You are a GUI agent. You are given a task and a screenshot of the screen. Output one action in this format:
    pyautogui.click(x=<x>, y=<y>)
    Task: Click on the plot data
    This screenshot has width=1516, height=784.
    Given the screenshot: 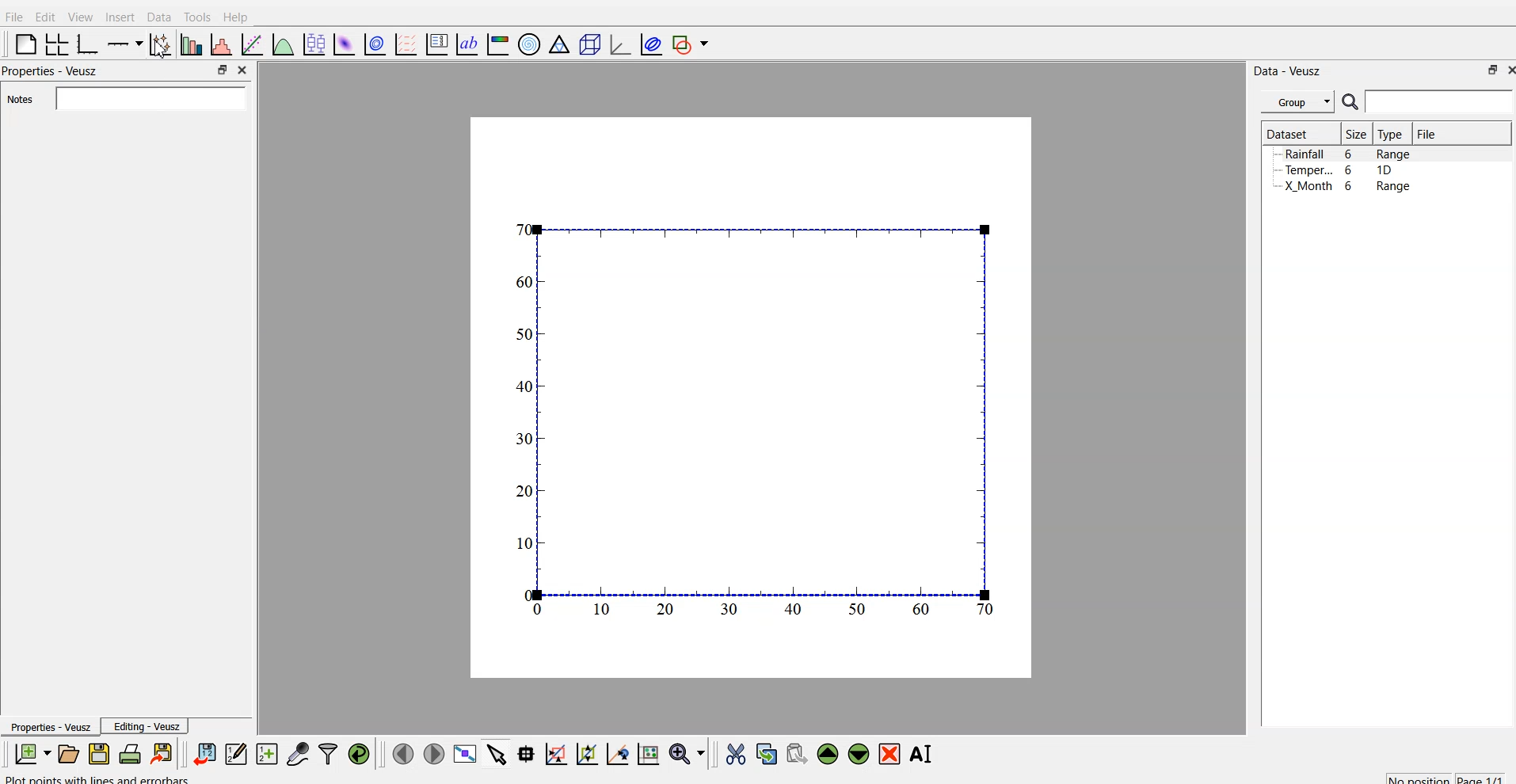 What is the action you would take?
    pyautogui.click(x=373, y=44)
    